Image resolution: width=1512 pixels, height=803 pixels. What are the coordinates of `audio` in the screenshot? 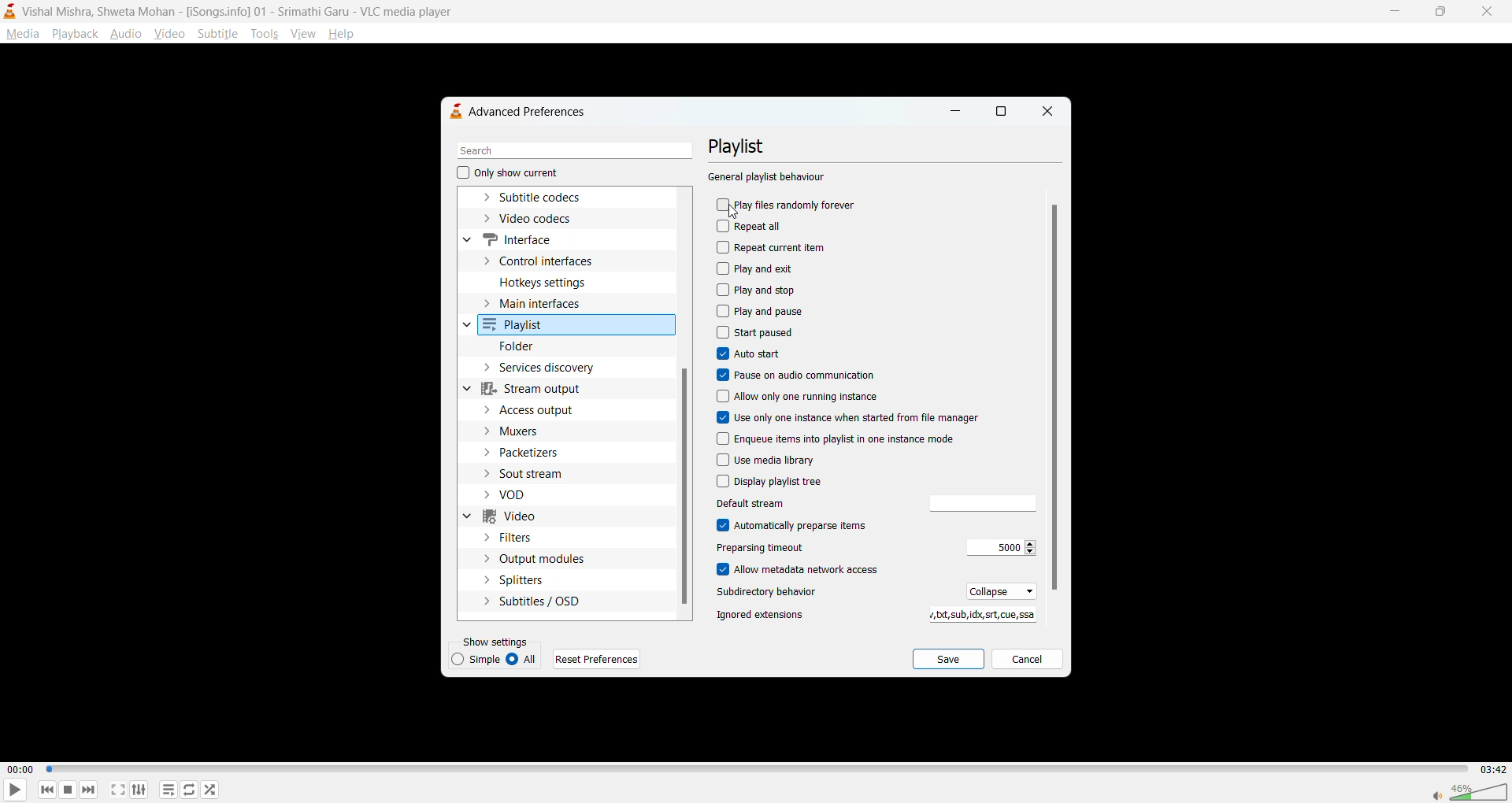 It's located at (126, 33).